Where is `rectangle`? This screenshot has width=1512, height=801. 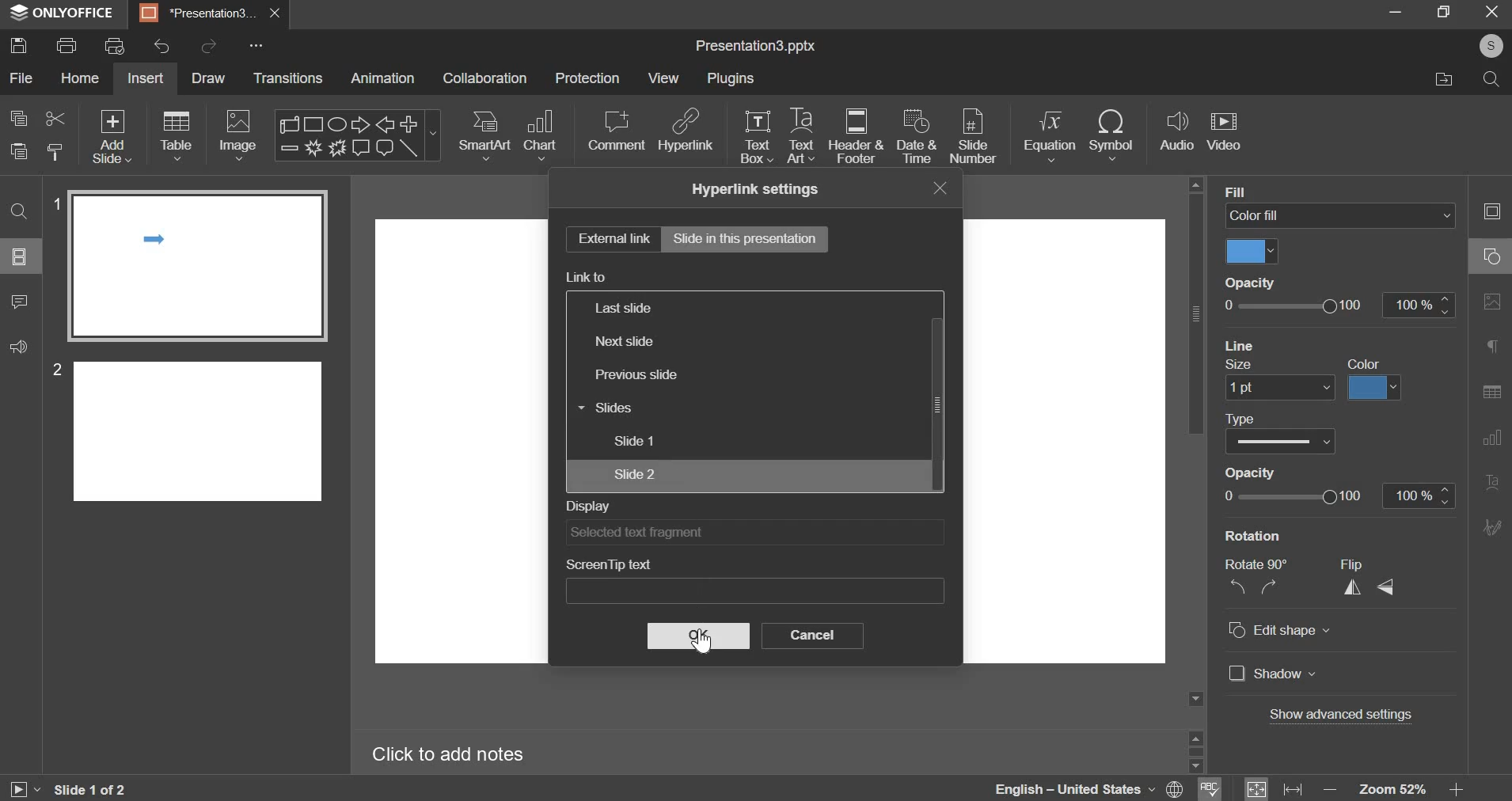
rectangle is located at coordinates (315, 123).